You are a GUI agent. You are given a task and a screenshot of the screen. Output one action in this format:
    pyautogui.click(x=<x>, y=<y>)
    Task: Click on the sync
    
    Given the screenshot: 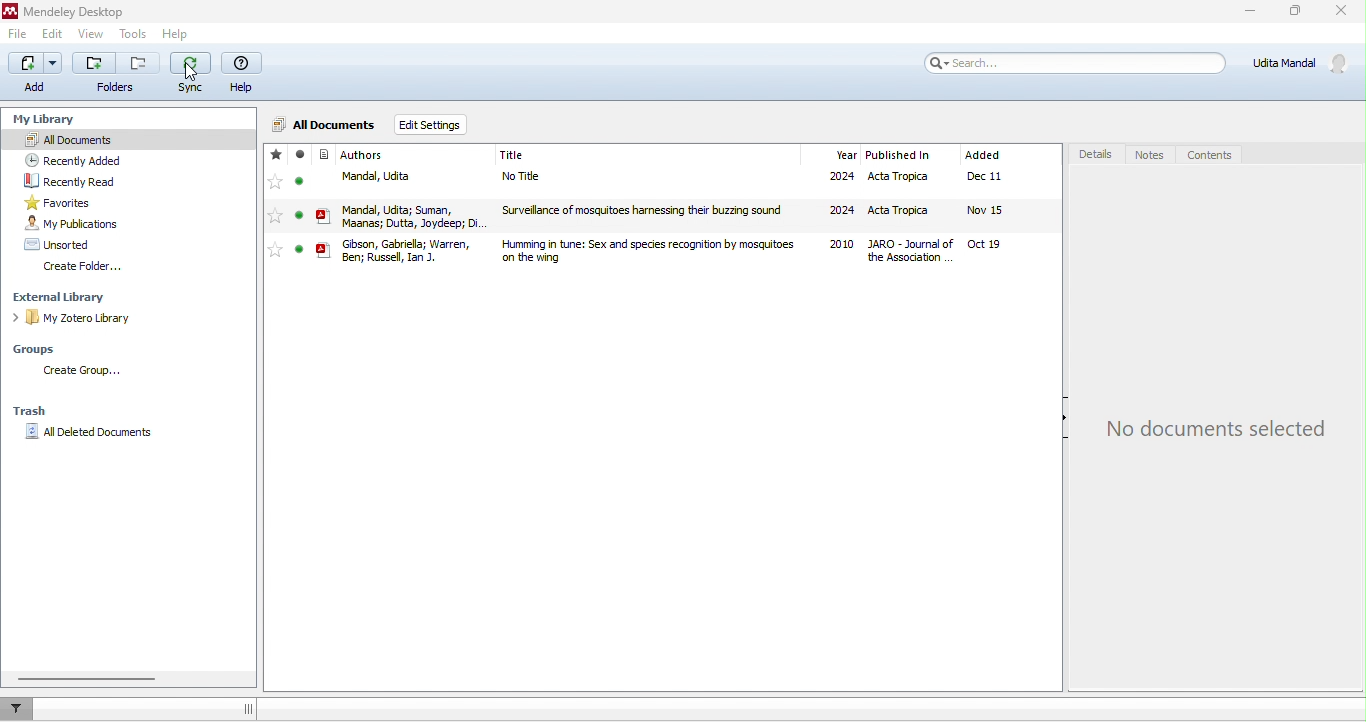 What is the action you would take?
    pyautogui.click(x=191, y=75)
    